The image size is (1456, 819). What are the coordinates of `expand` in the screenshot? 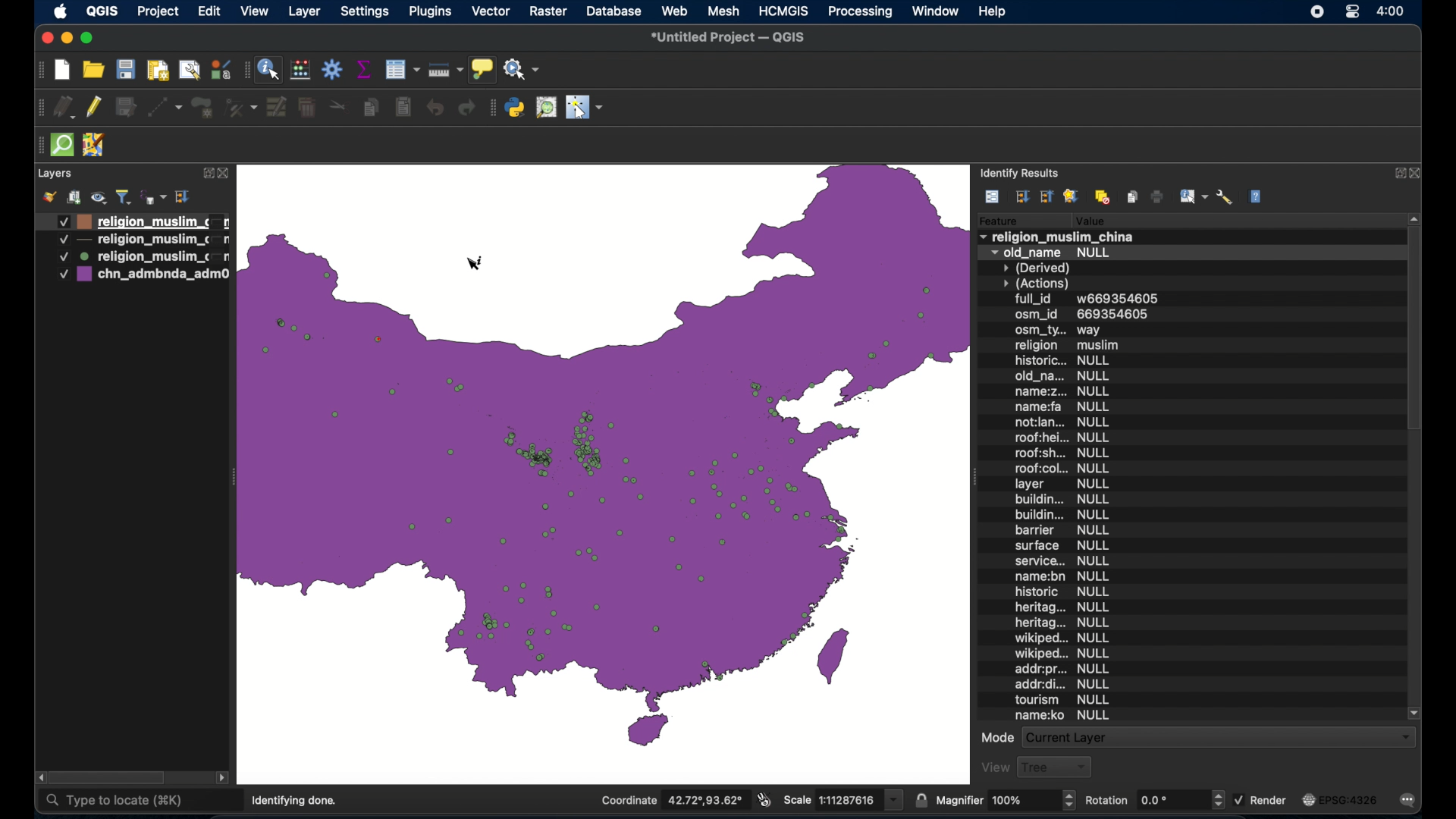 It's located at (206, 174).